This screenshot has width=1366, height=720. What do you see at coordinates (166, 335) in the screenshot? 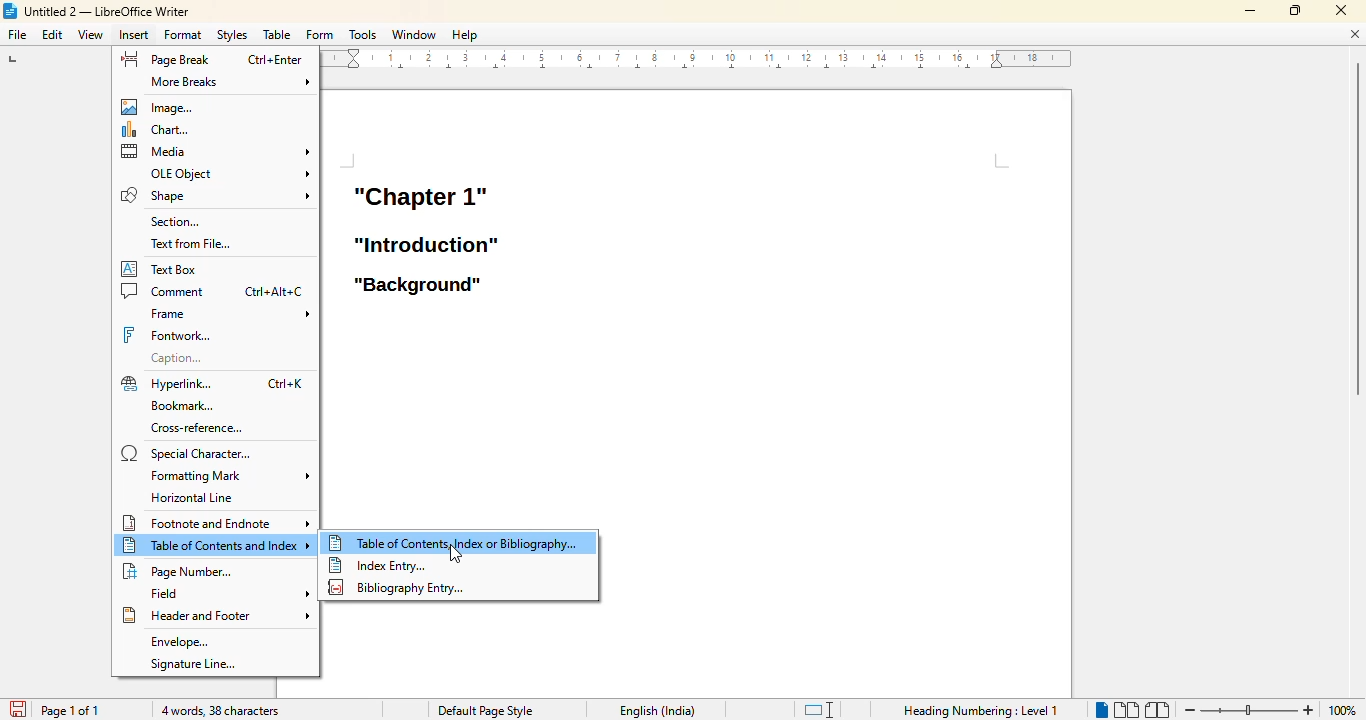
I see `fontwork` at bounding box center [166, 335].